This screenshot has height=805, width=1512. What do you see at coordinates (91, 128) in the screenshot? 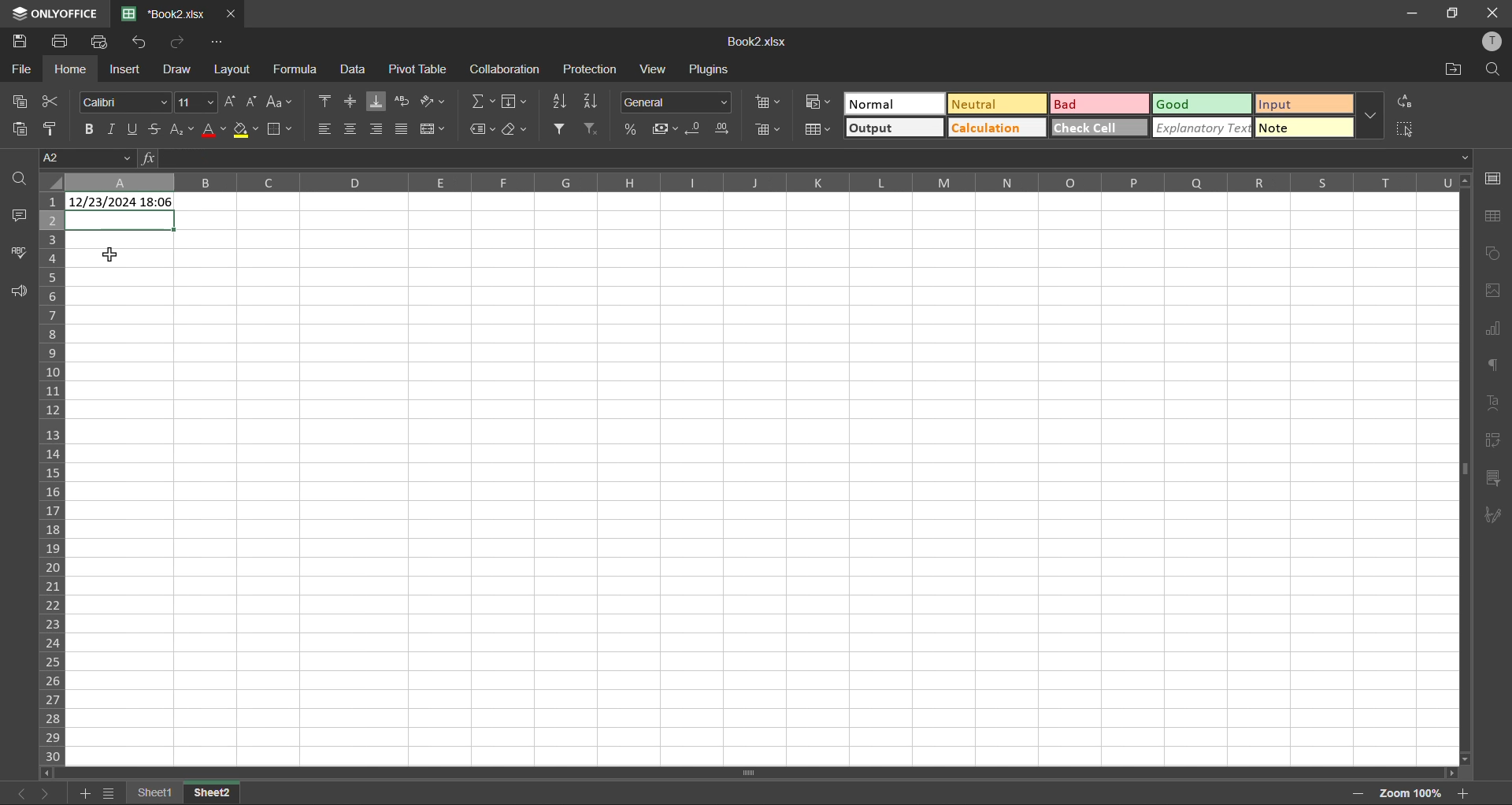
I see `bold` at bounding box center [91, 128].